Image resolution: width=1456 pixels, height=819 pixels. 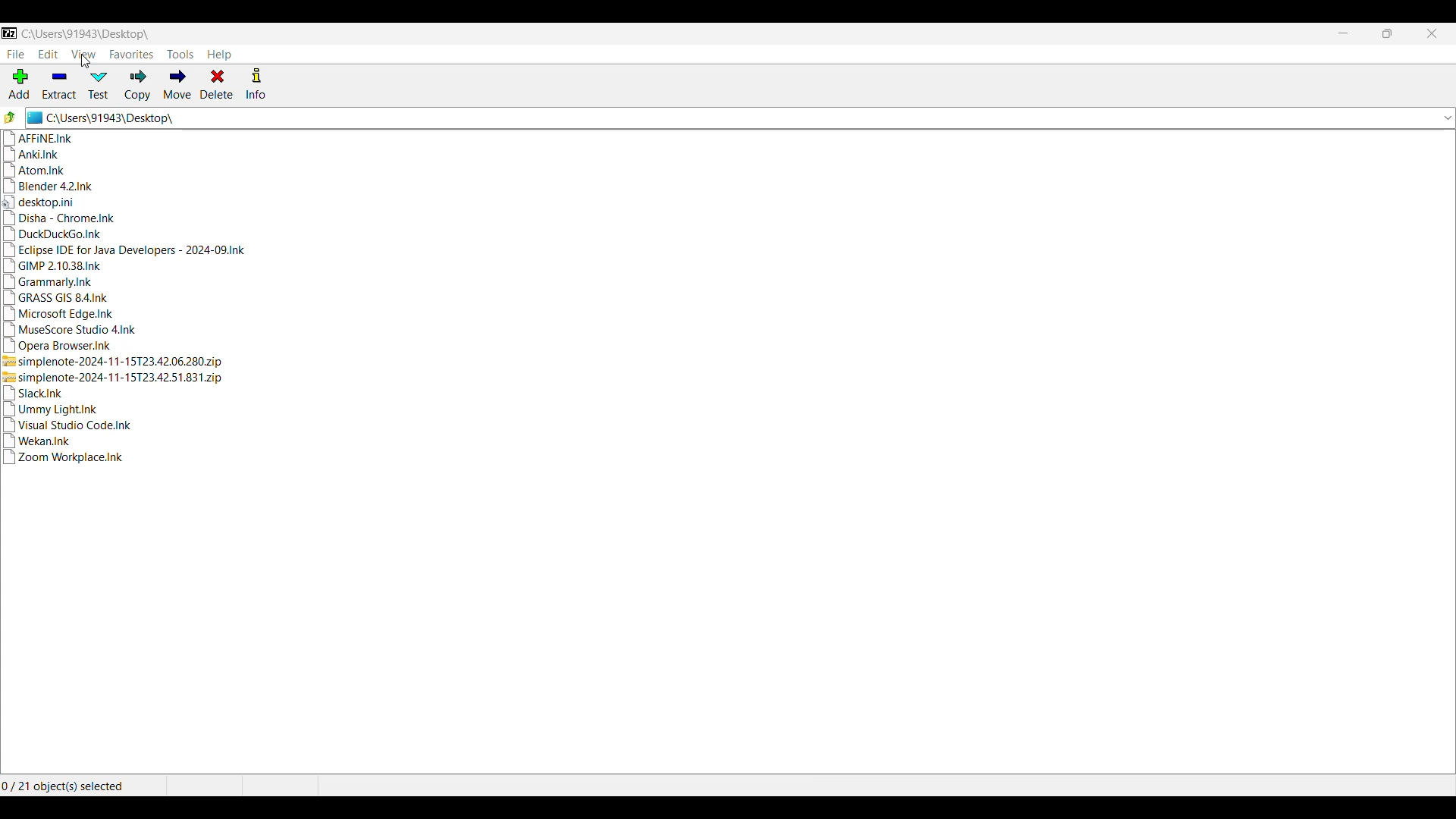 What do you see at coordinates (38, 394) in the screenshot?
I see `Slack.Ink` at bounding box center [38, 394].